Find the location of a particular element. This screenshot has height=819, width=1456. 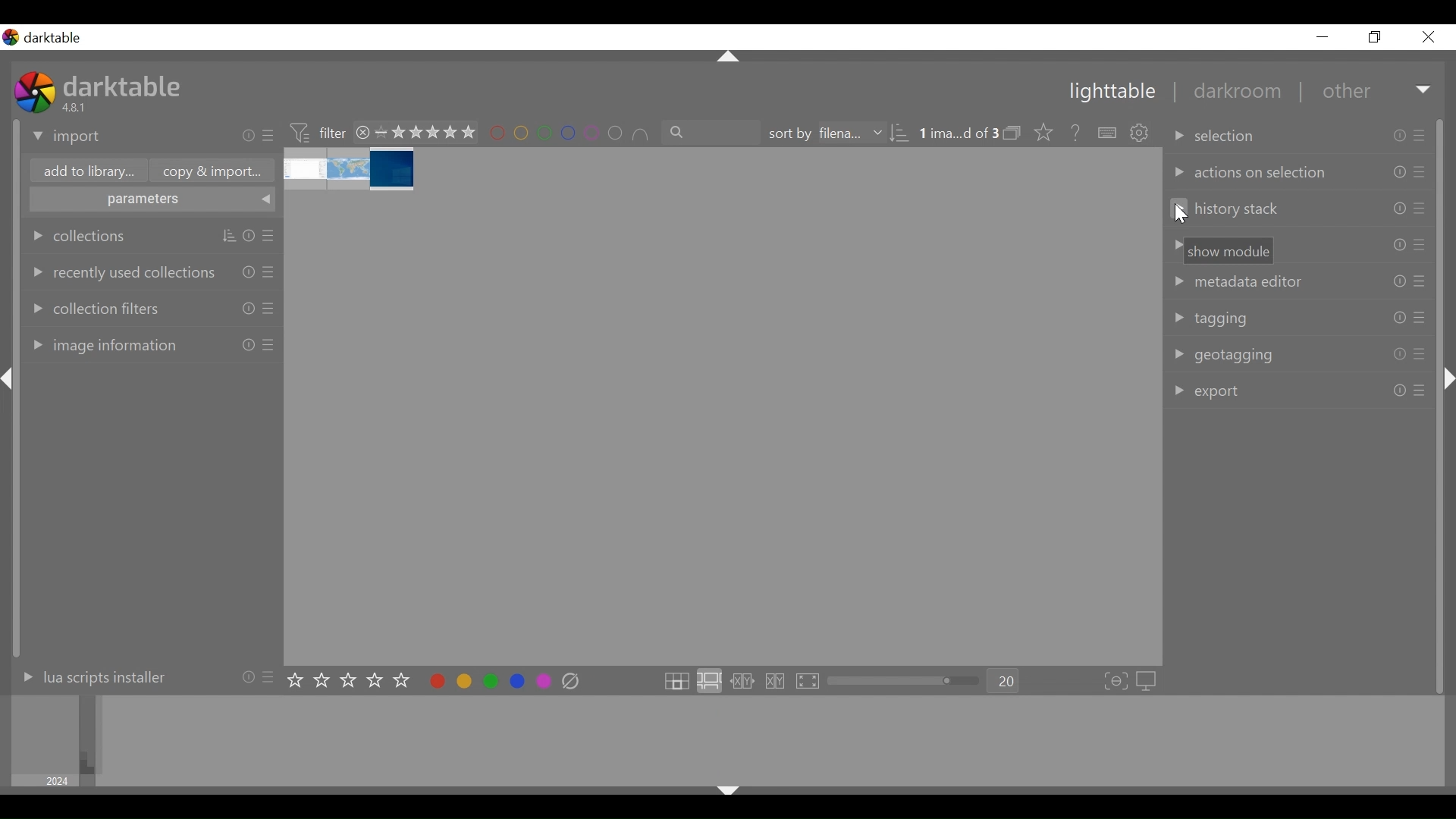

info is located at coordinates (249, 237).